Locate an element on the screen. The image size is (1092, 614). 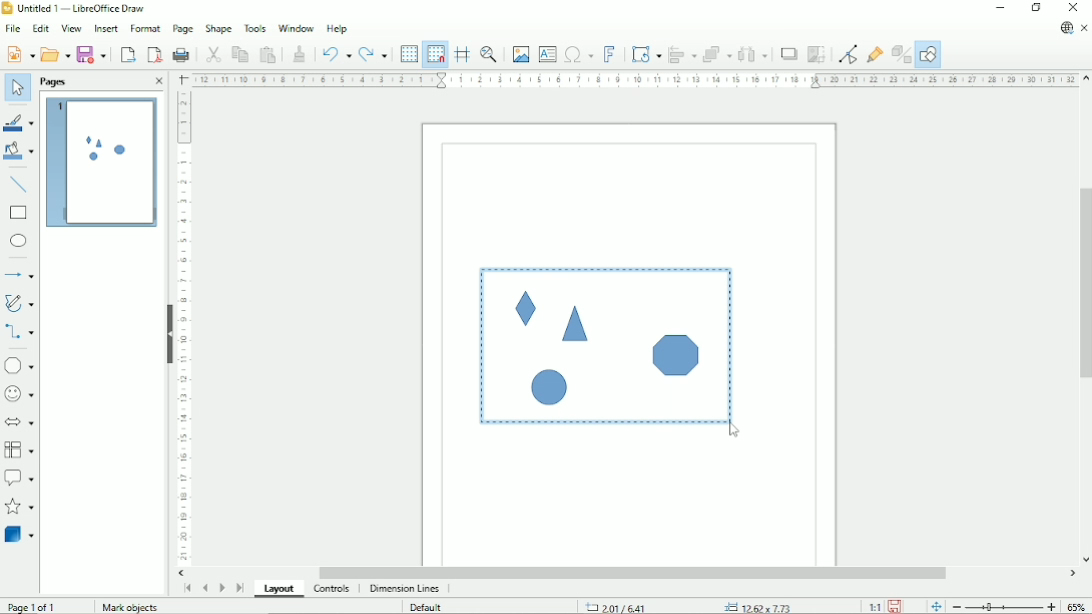
Insert line is located at coordinates (19, 186).